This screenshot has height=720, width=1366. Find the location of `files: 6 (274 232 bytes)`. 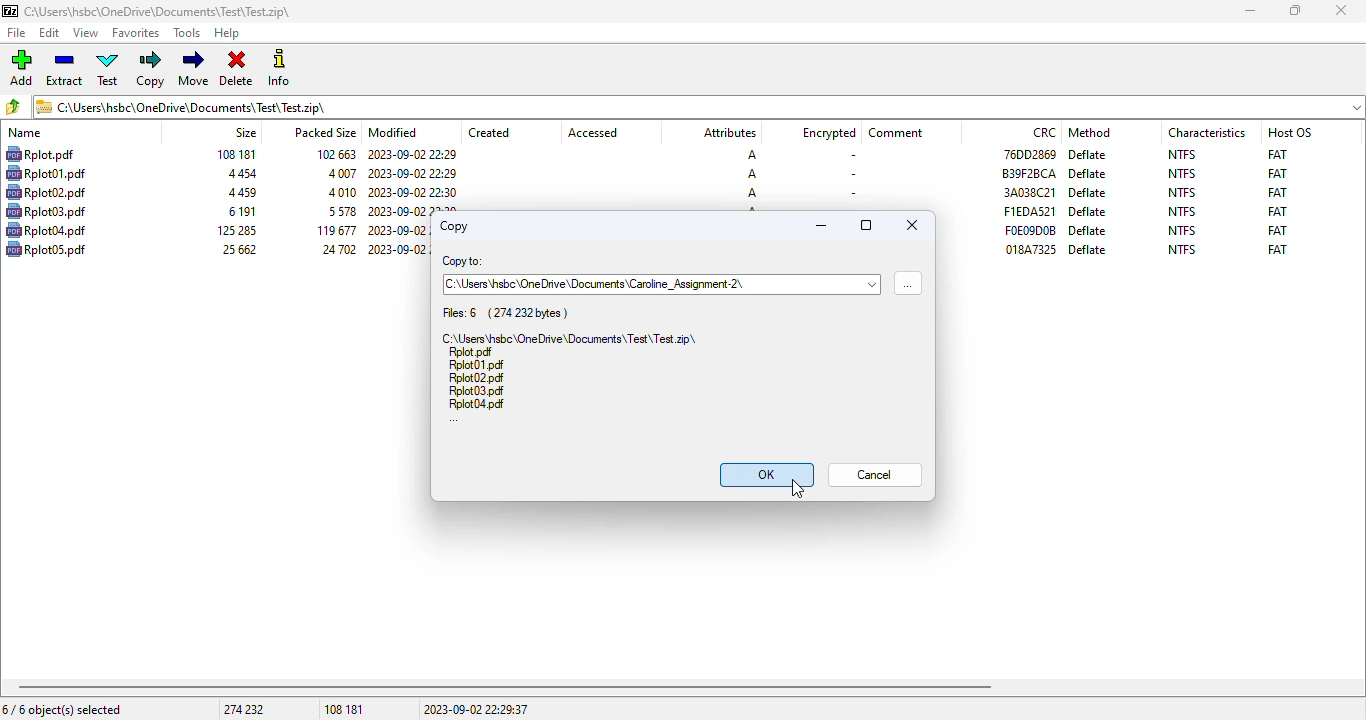

files: 6 (274 232 bytes) is located at coordinates (507, 313).